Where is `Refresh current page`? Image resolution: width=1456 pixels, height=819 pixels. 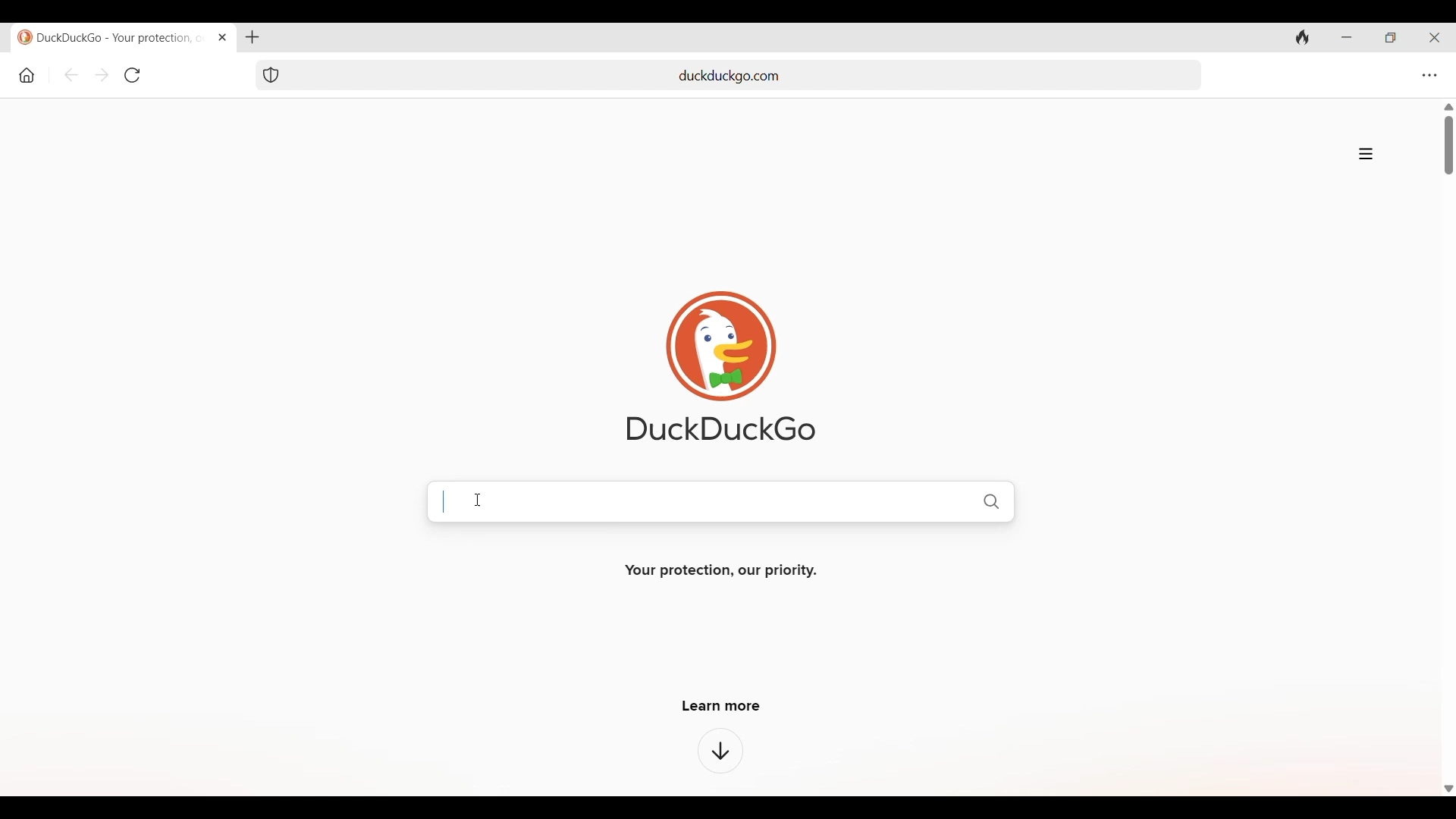 Refresh current page is located at coordinates (133, 75).